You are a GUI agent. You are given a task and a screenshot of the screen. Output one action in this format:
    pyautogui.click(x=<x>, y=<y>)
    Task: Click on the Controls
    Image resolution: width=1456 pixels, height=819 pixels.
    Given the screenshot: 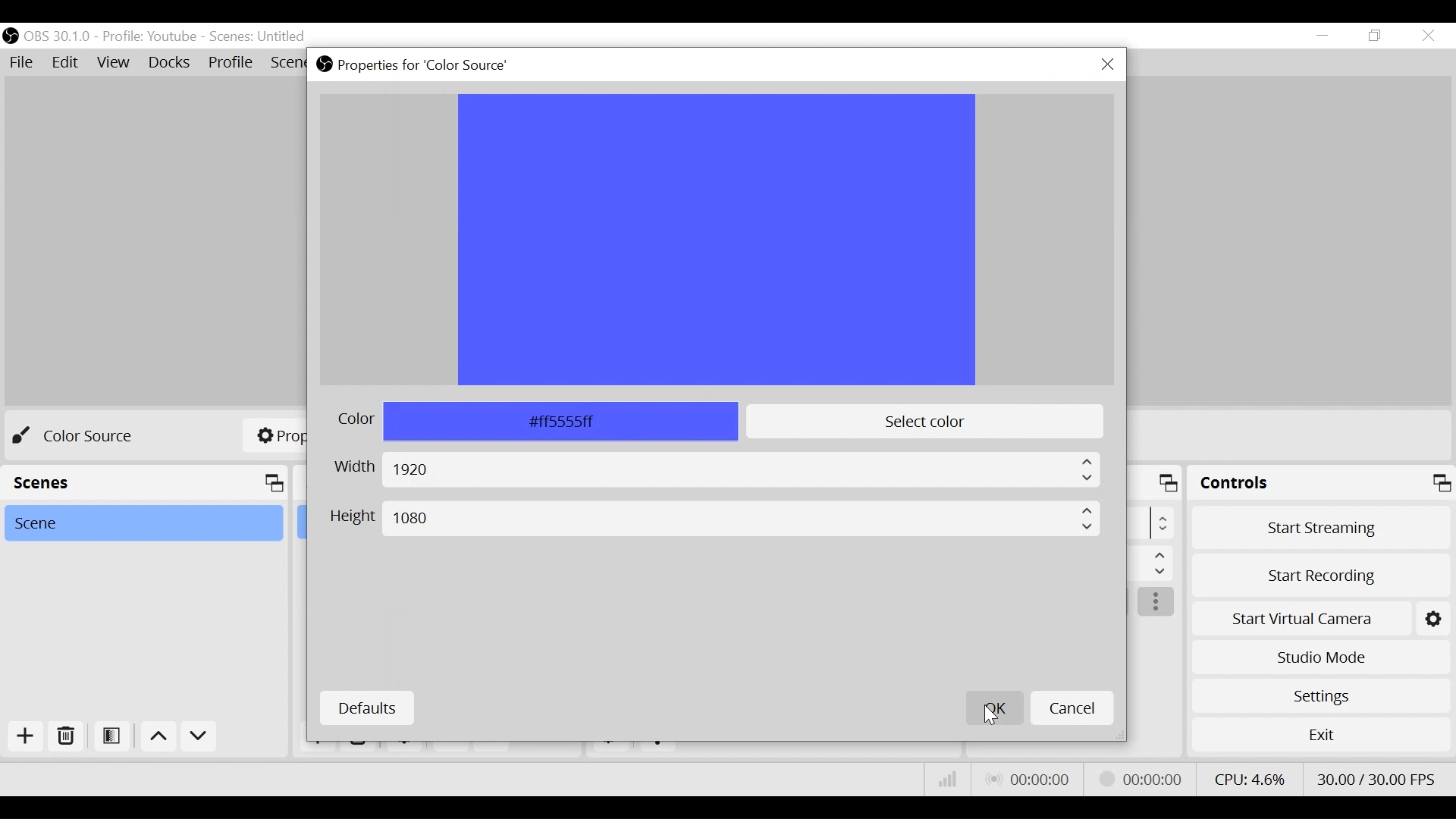 What is the action you would take?
    pyautogui.click(x=1322, y=485)
    